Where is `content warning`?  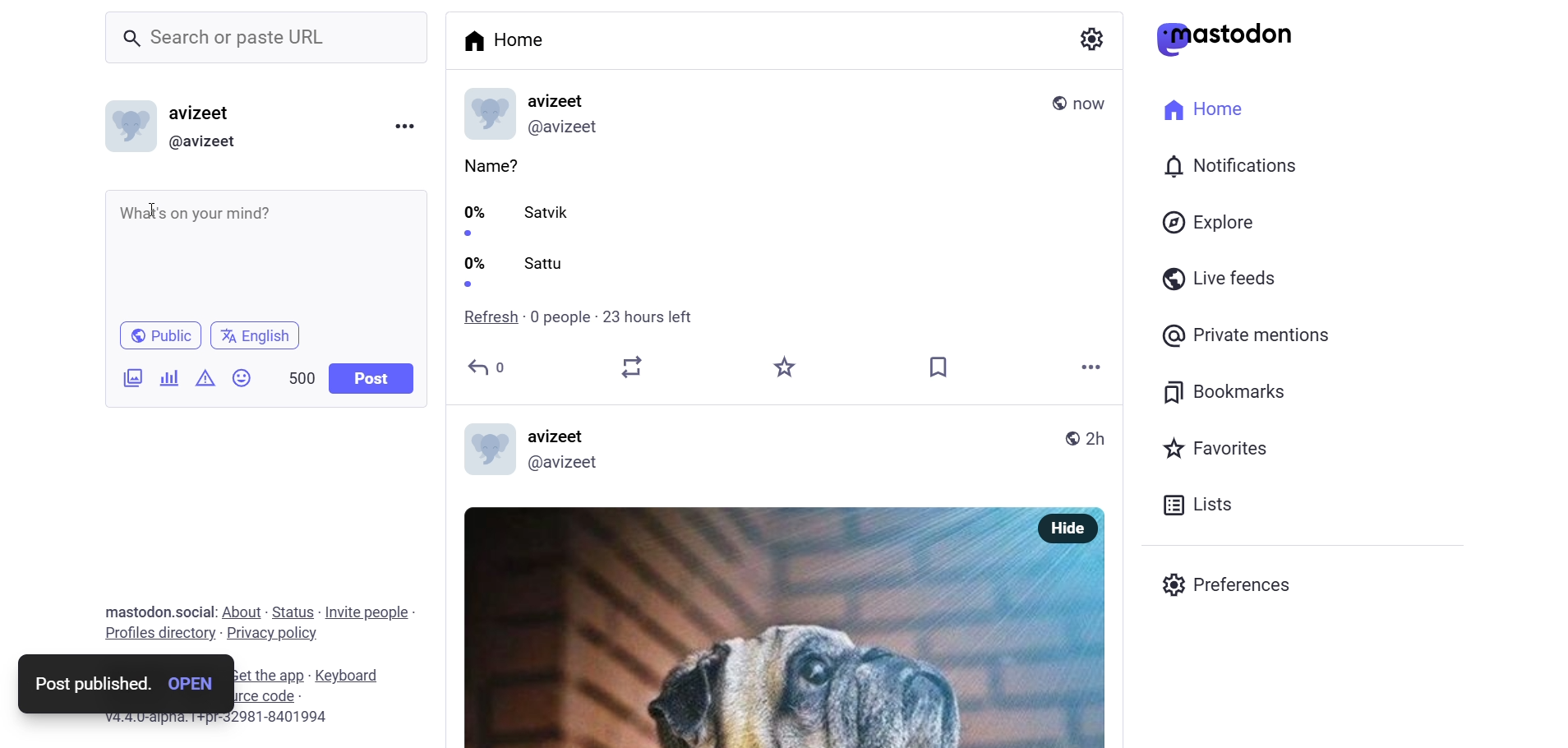 content warning is located at coordinates (205, 380).